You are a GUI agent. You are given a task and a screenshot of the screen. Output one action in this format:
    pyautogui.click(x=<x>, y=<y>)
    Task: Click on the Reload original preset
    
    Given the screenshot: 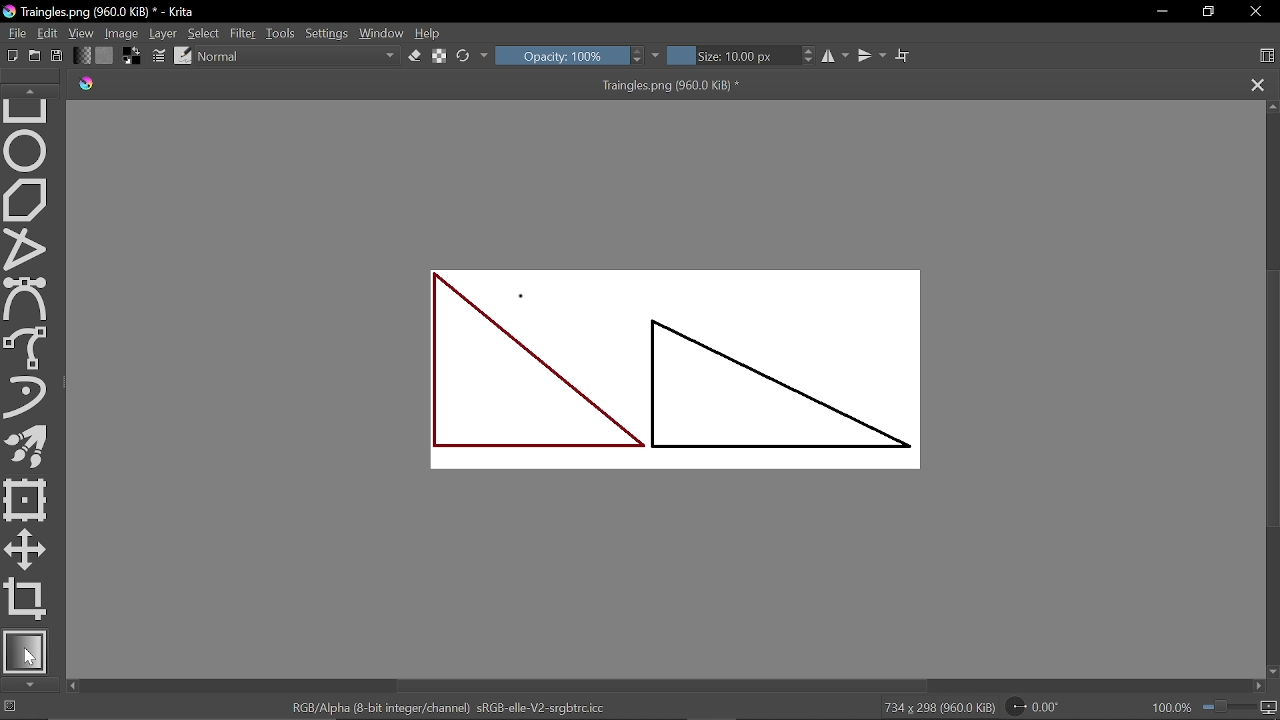 What is the action you would take?
    pyautogui.click(x=464, y=57)
    